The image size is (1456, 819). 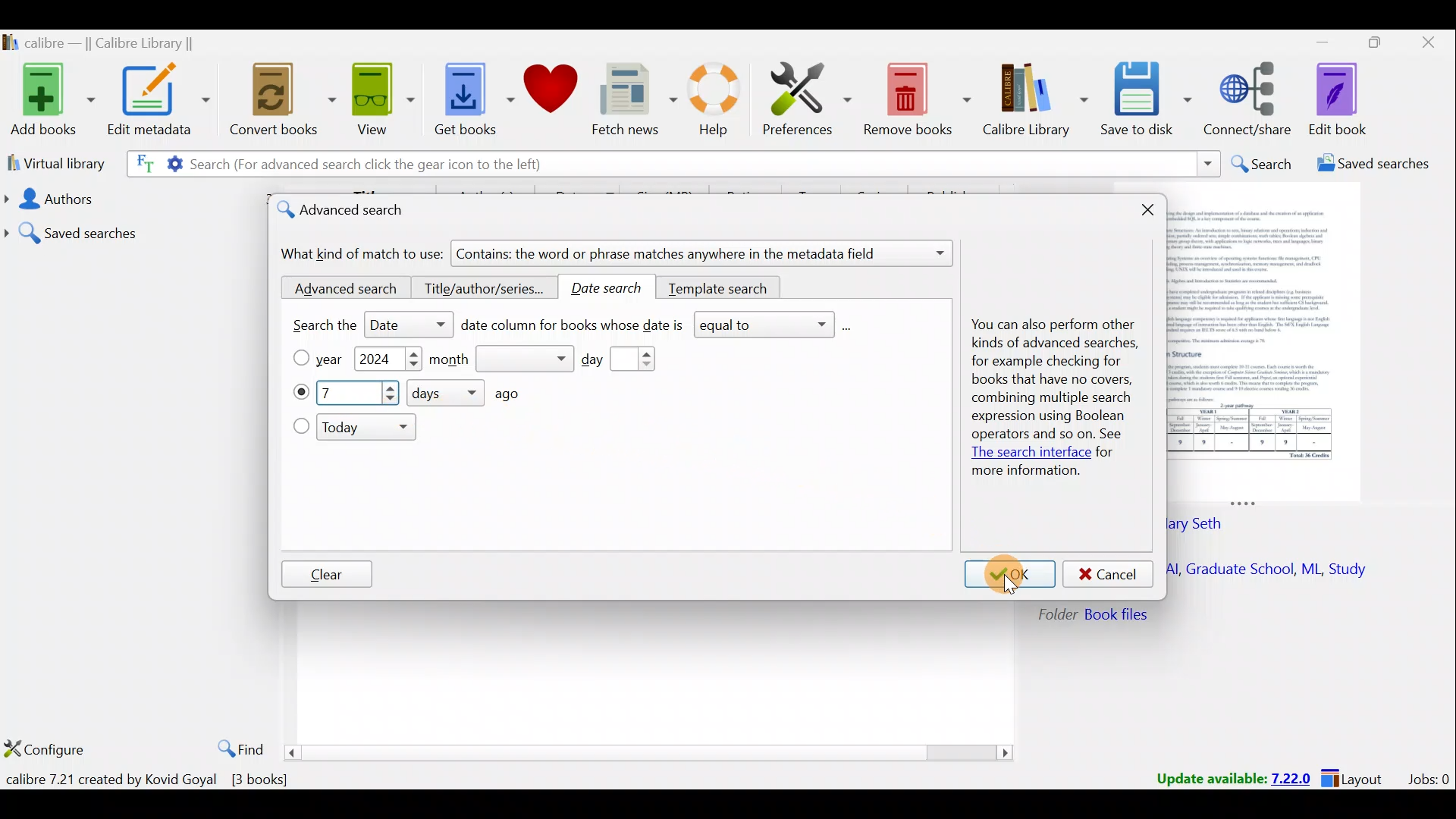 I want to click on What kind of match to use:, so click(x=363, y=254).